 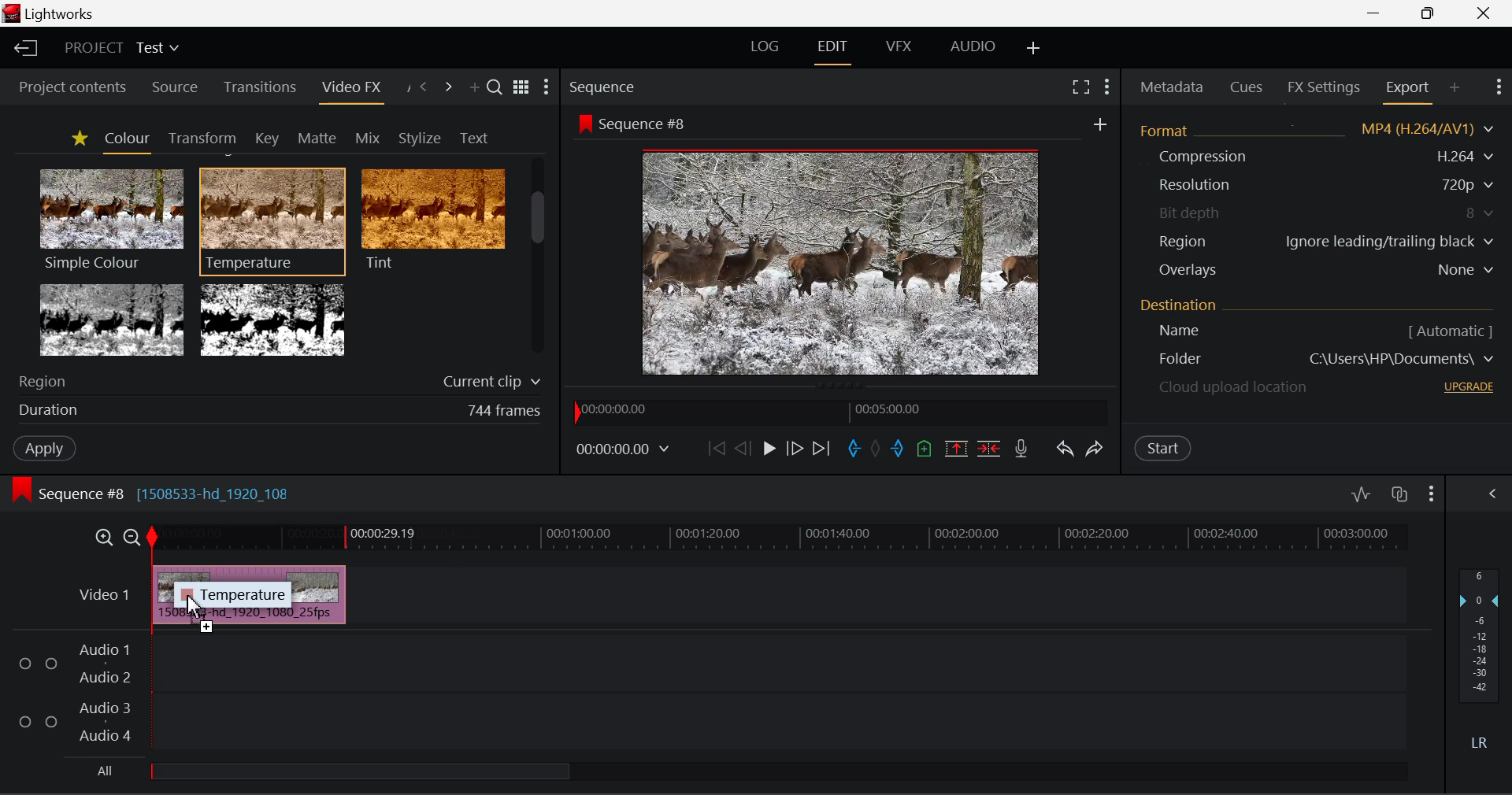 What do you see at coordinates (714, 452) in the screenshot?
I see `To start` at bounding box center [714, 452].